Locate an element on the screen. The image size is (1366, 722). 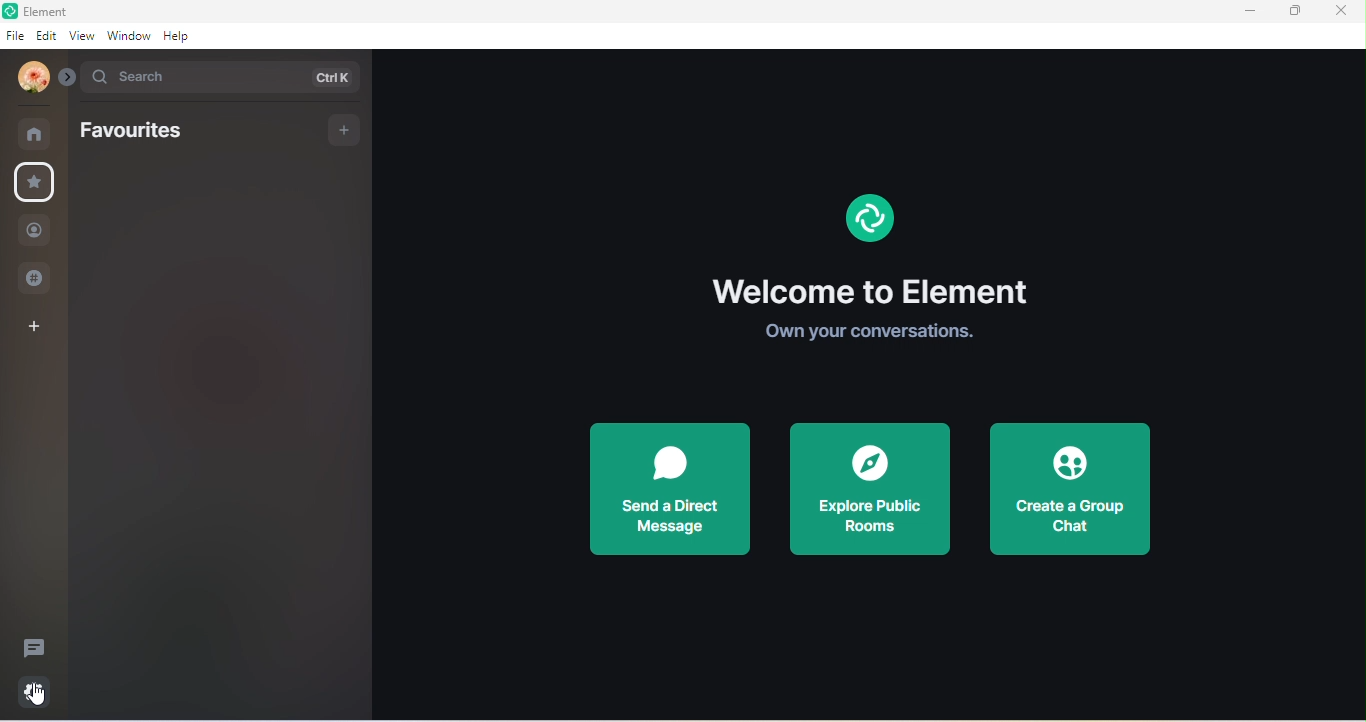
close is located at coordinates (1340, 10).